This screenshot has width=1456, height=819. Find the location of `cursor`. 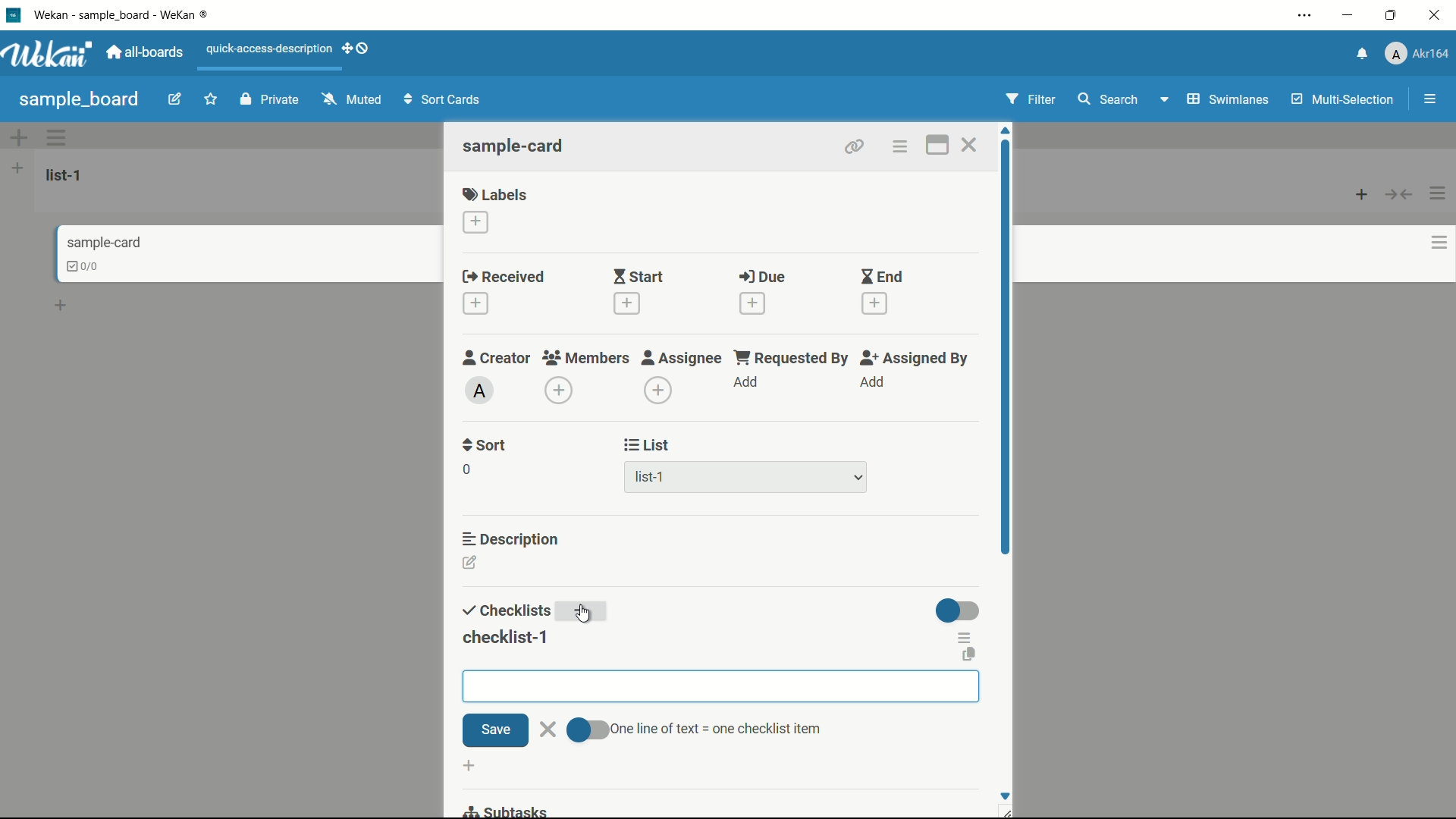

cursor is located at coordinates (583, 613).